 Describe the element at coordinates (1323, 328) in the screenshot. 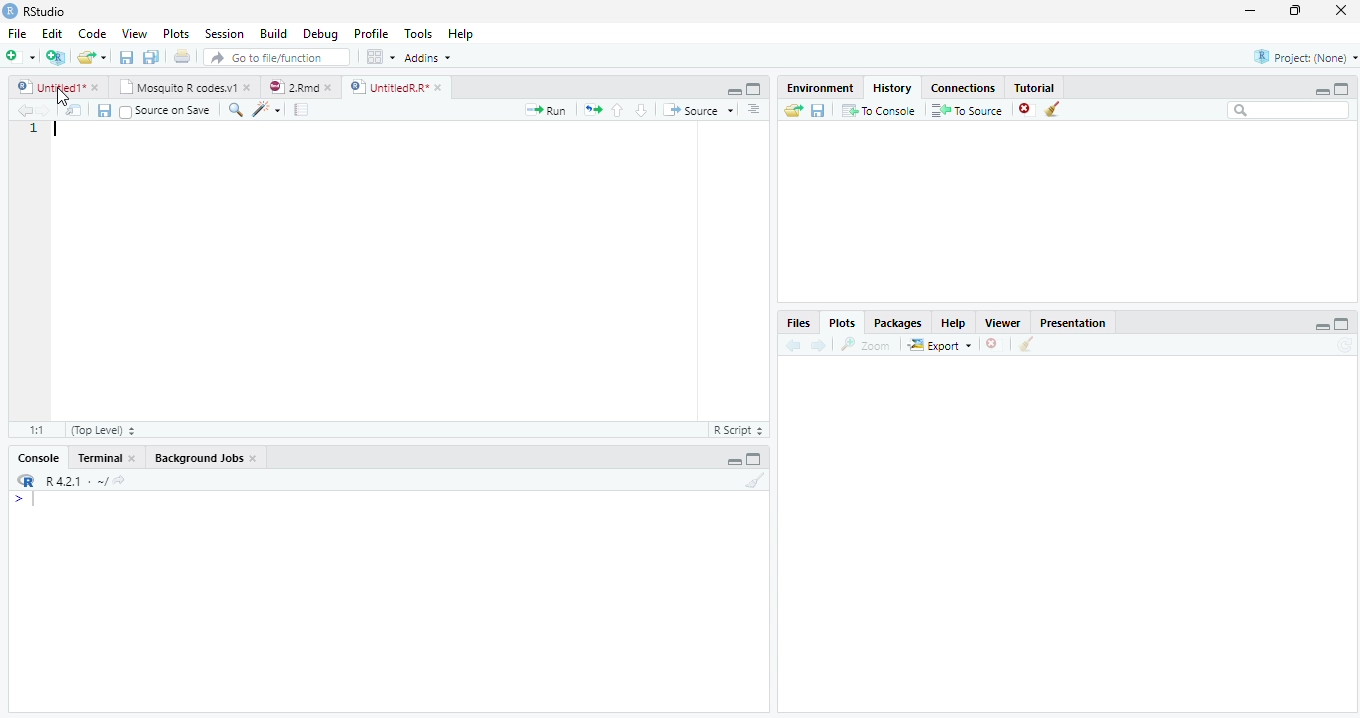

I see `Minimize` at that location.